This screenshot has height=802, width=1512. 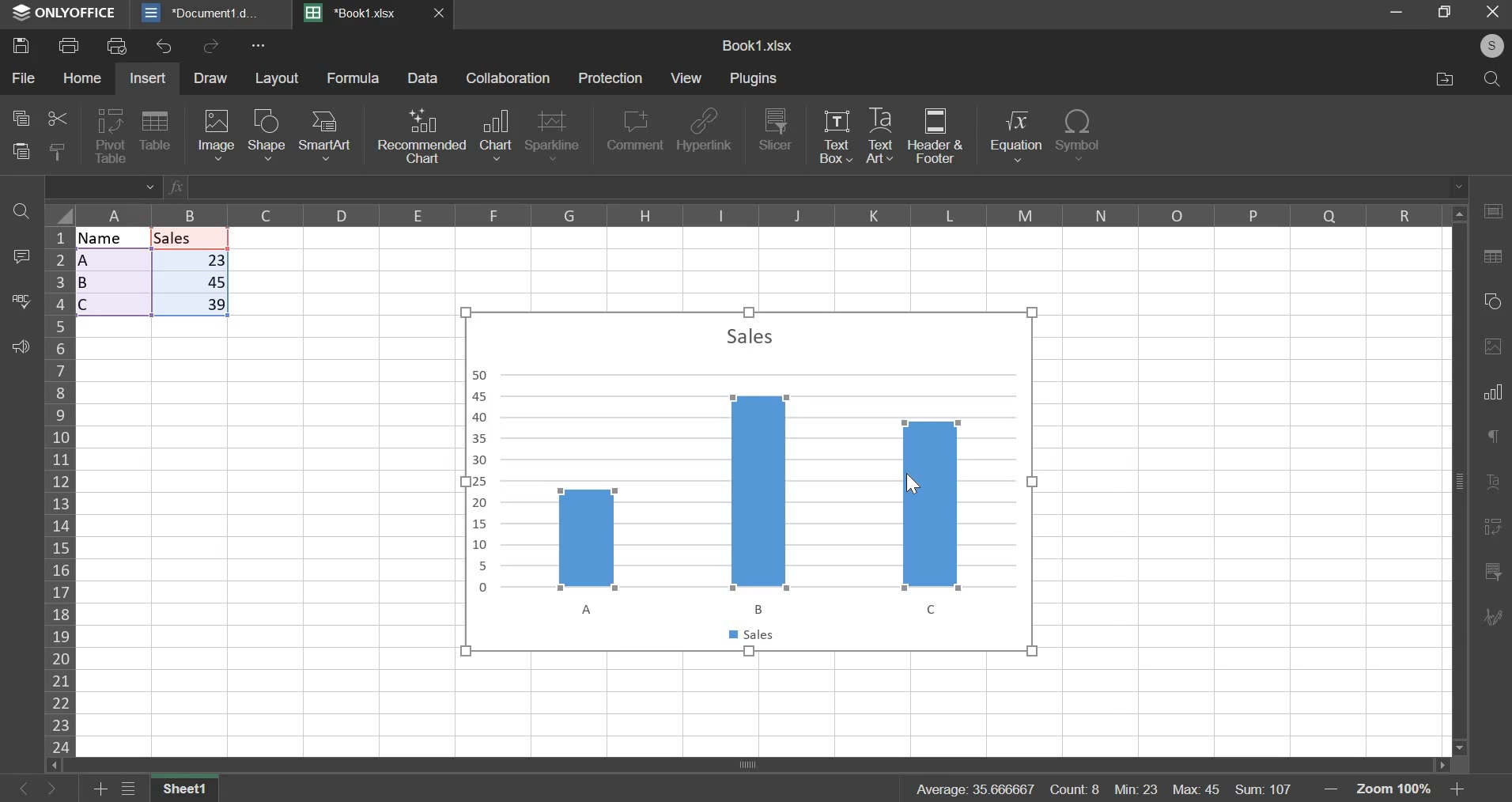 What do you see at coordinates (354, 78) in the screenshot?
I see `formula` at bounding box center [354, 78].